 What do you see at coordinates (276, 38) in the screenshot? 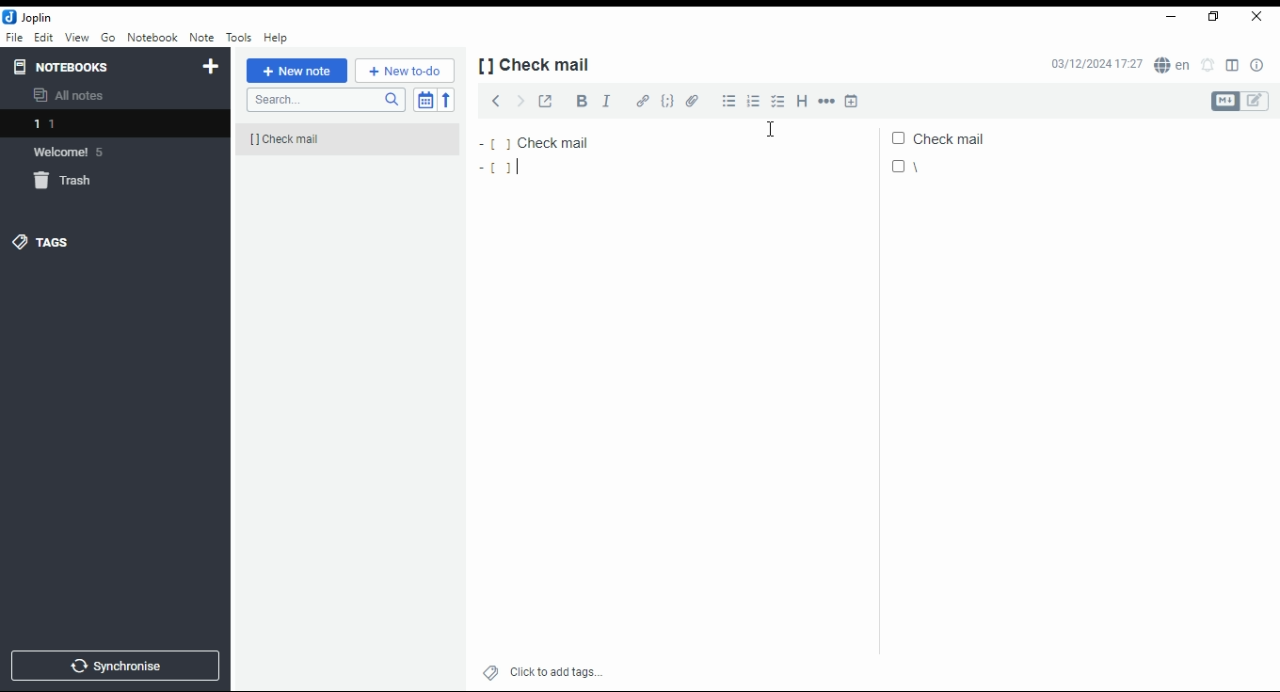
I see `help` at bounding box center [276, 38].